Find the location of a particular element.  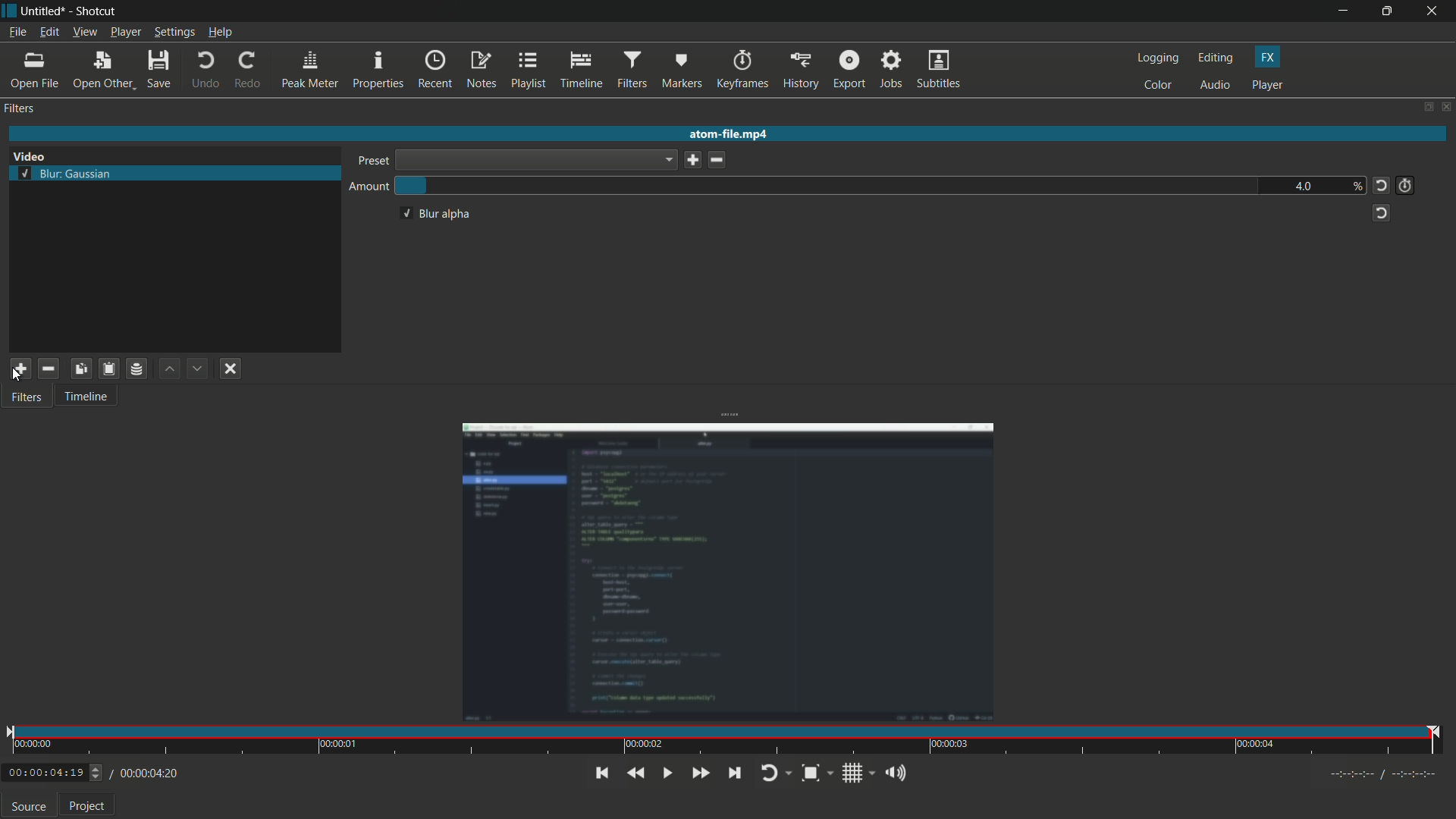

app name is located at coordinates (94, 13).